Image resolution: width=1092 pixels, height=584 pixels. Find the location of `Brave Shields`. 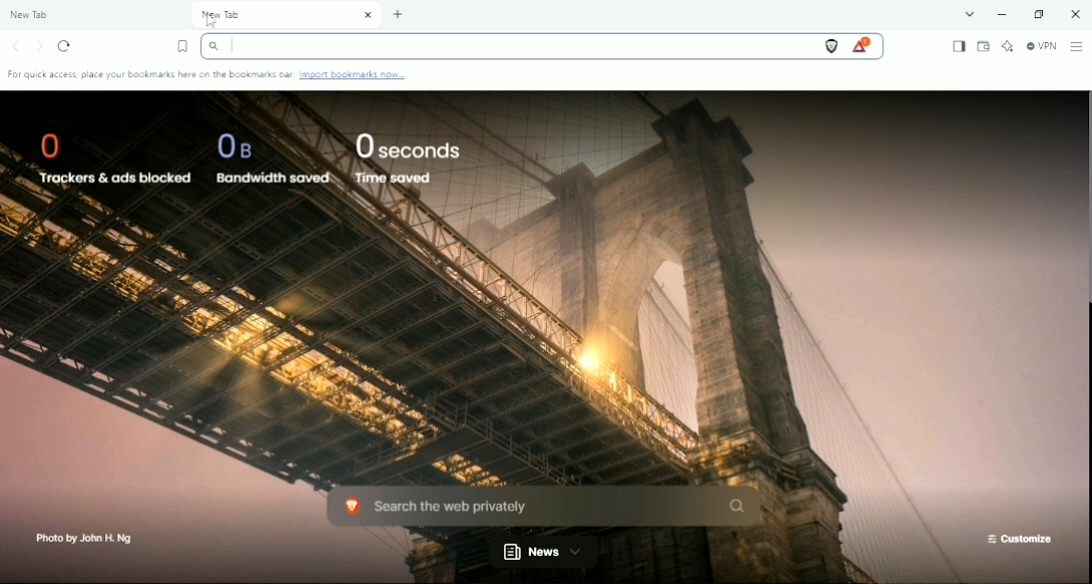

Brave Shields is located at coordinates (832, 45).